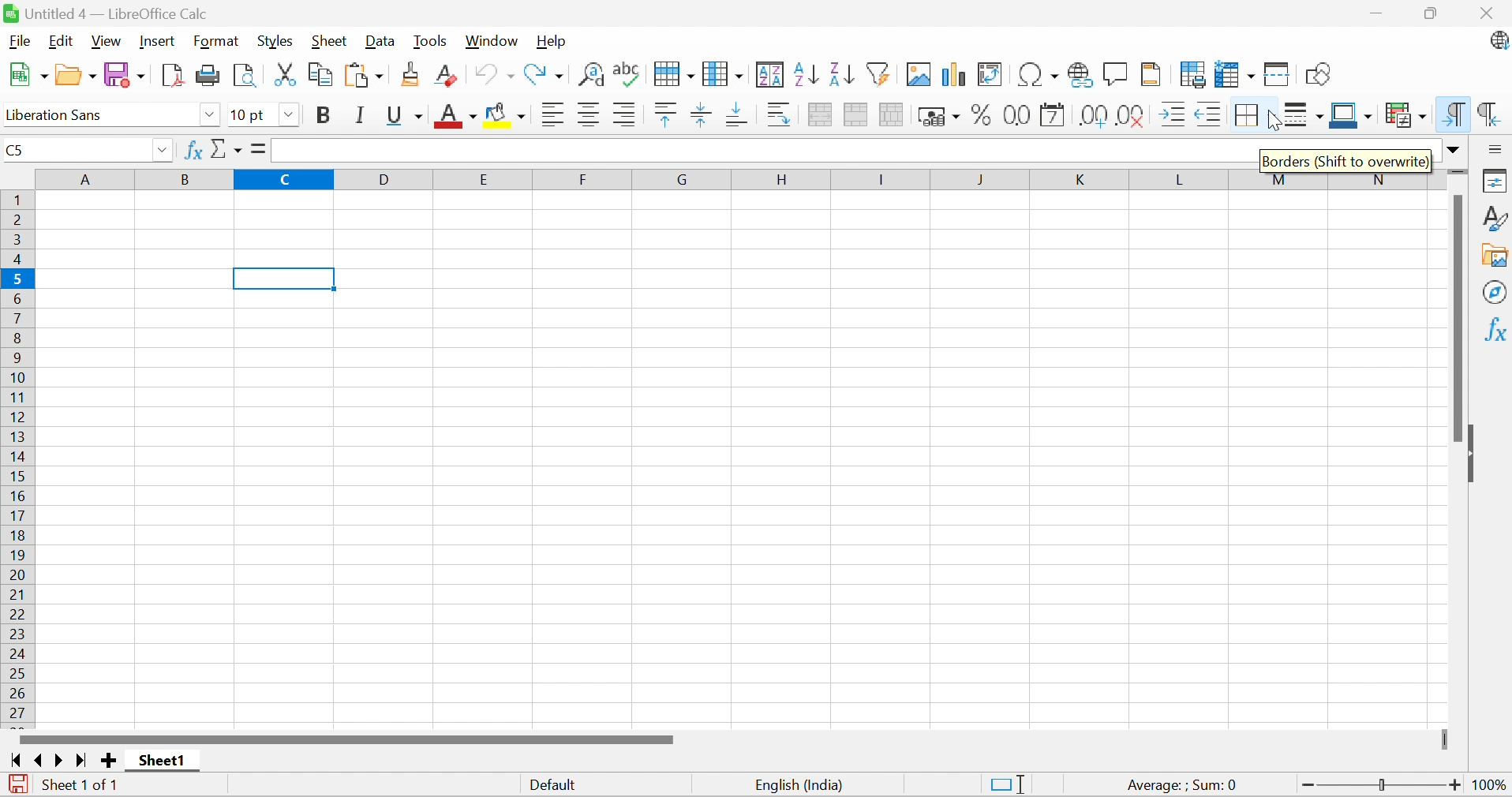 This screenshot has width=1512, height=797. Describe the element at coordinates (256, 148) in the screenshot. I see `Formula` at that location.